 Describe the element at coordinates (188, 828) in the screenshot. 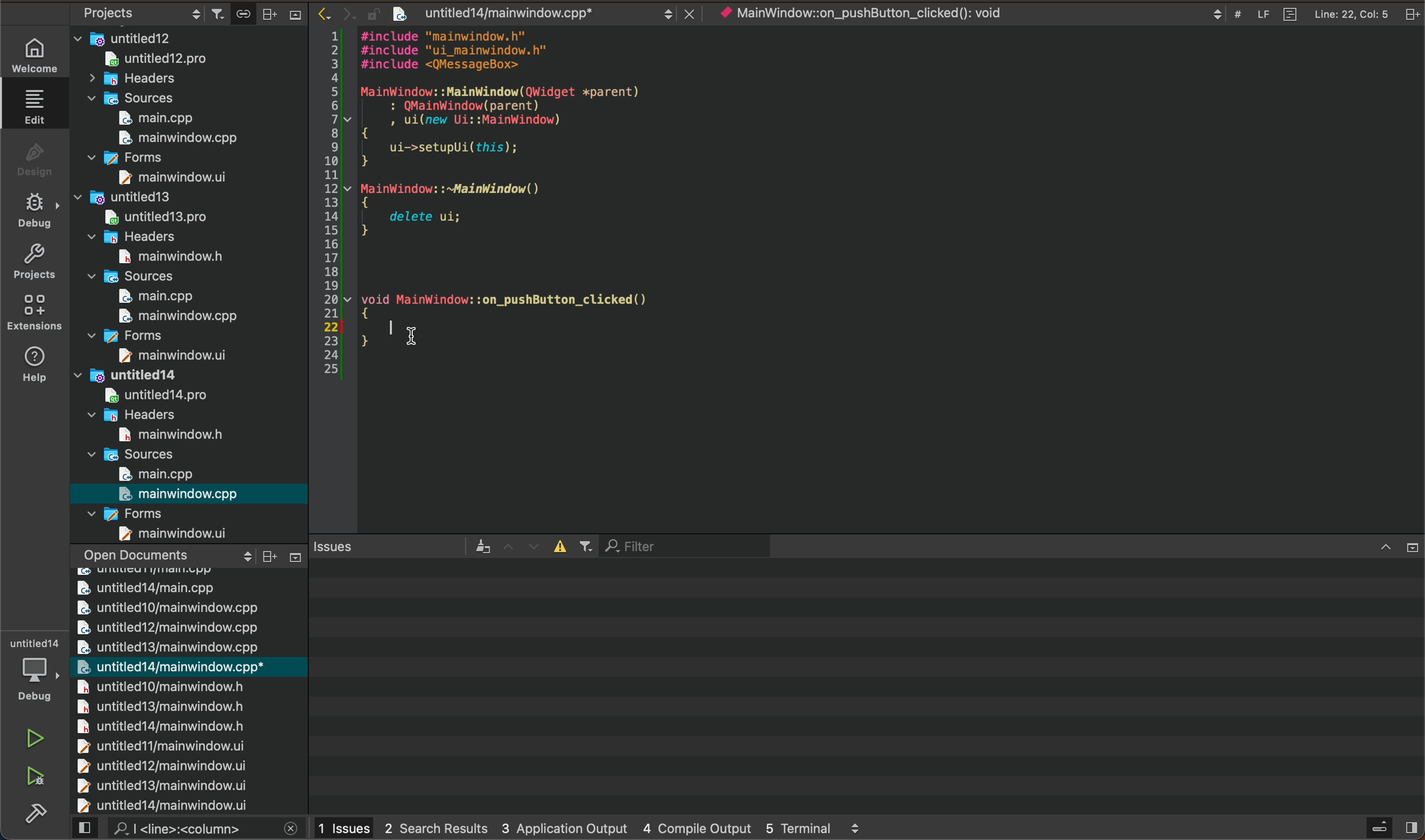

I see `search` at that location.